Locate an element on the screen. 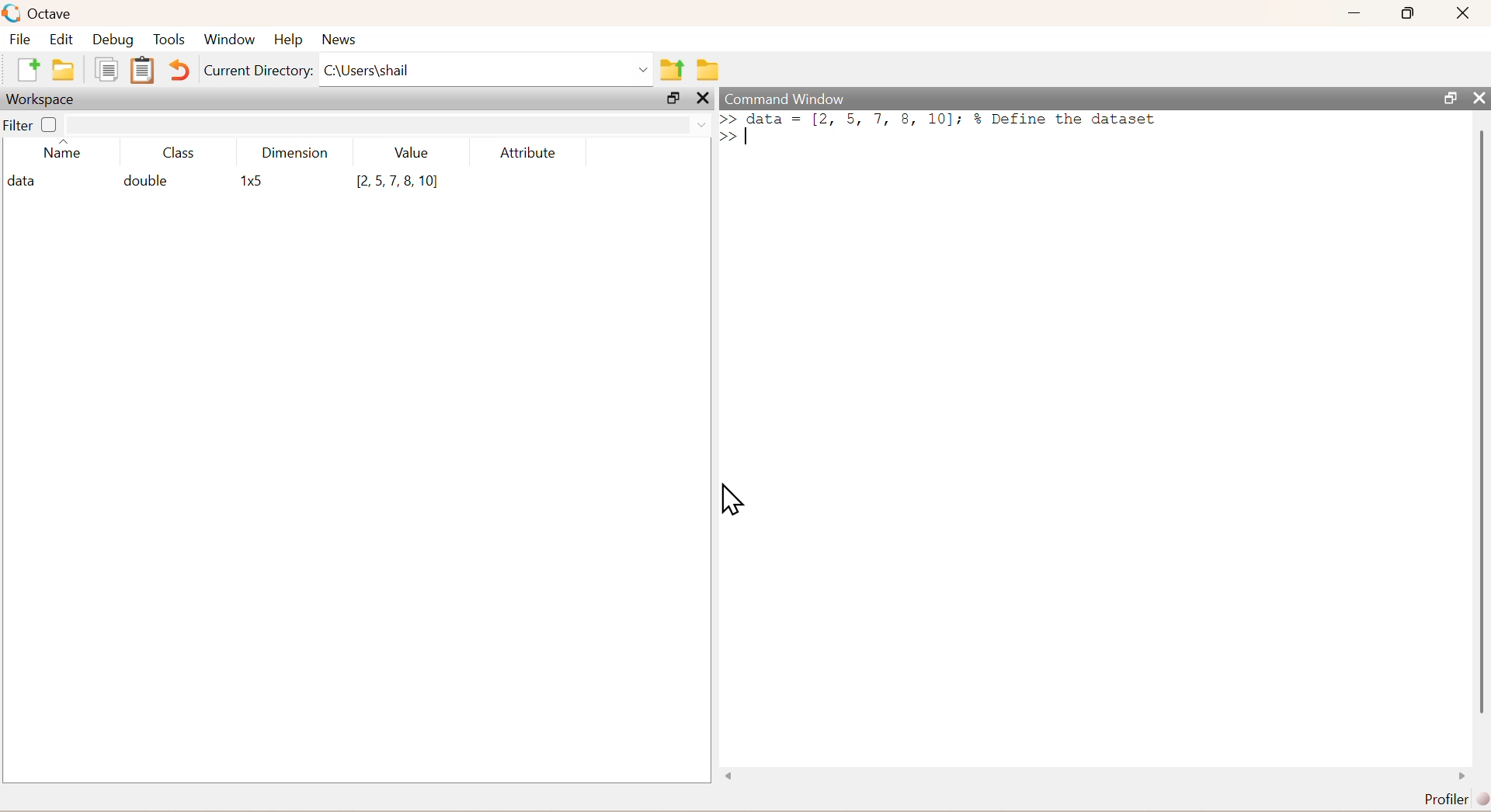 The image size is (1491, 812). file is located at coordinates (20, 38).